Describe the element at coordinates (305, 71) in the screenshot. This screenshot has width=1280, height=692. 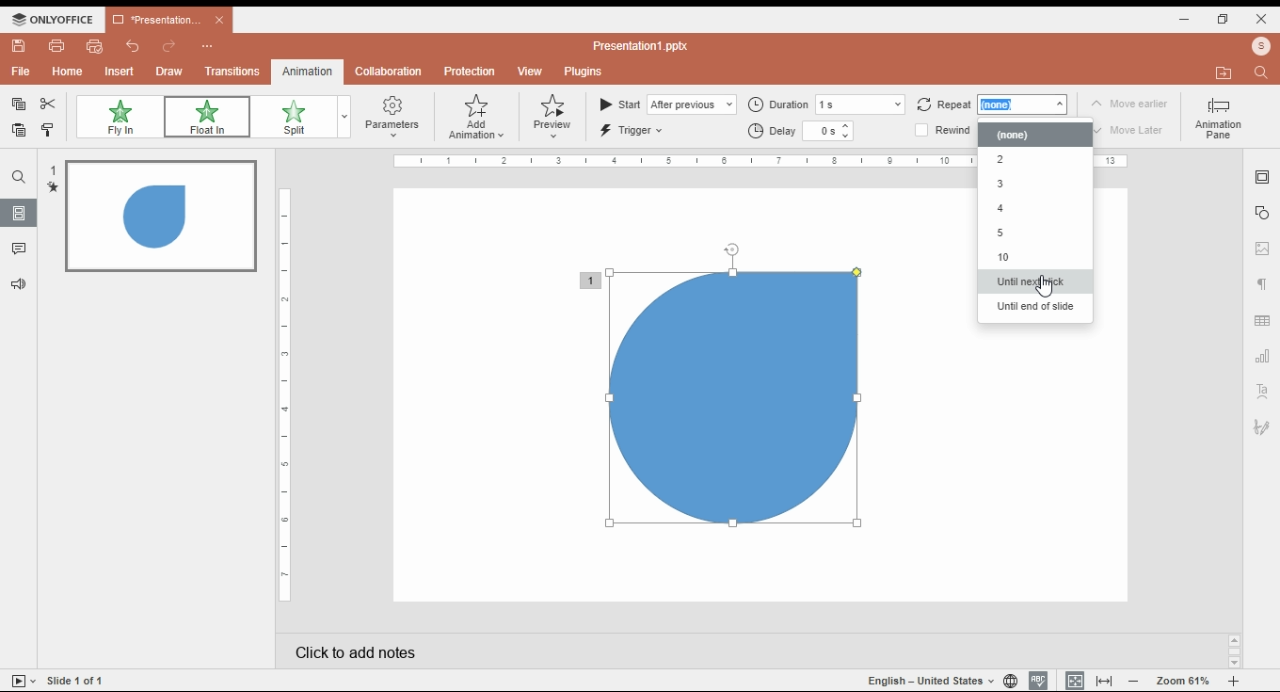
I see `animation` at that location.